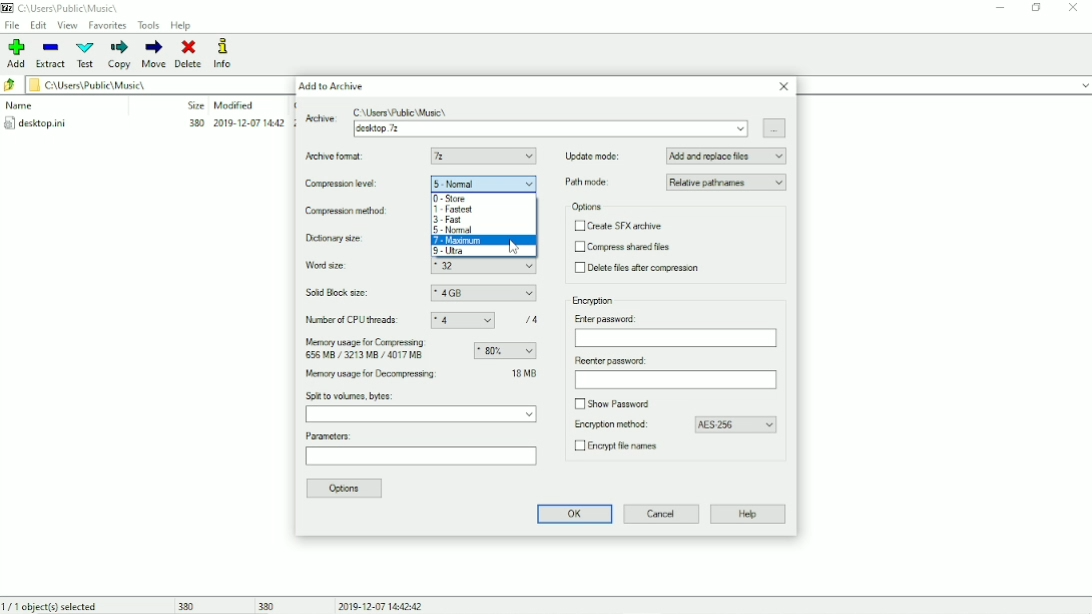 The image size is (1092, 614). I want to click on File location, so click(70, 8).